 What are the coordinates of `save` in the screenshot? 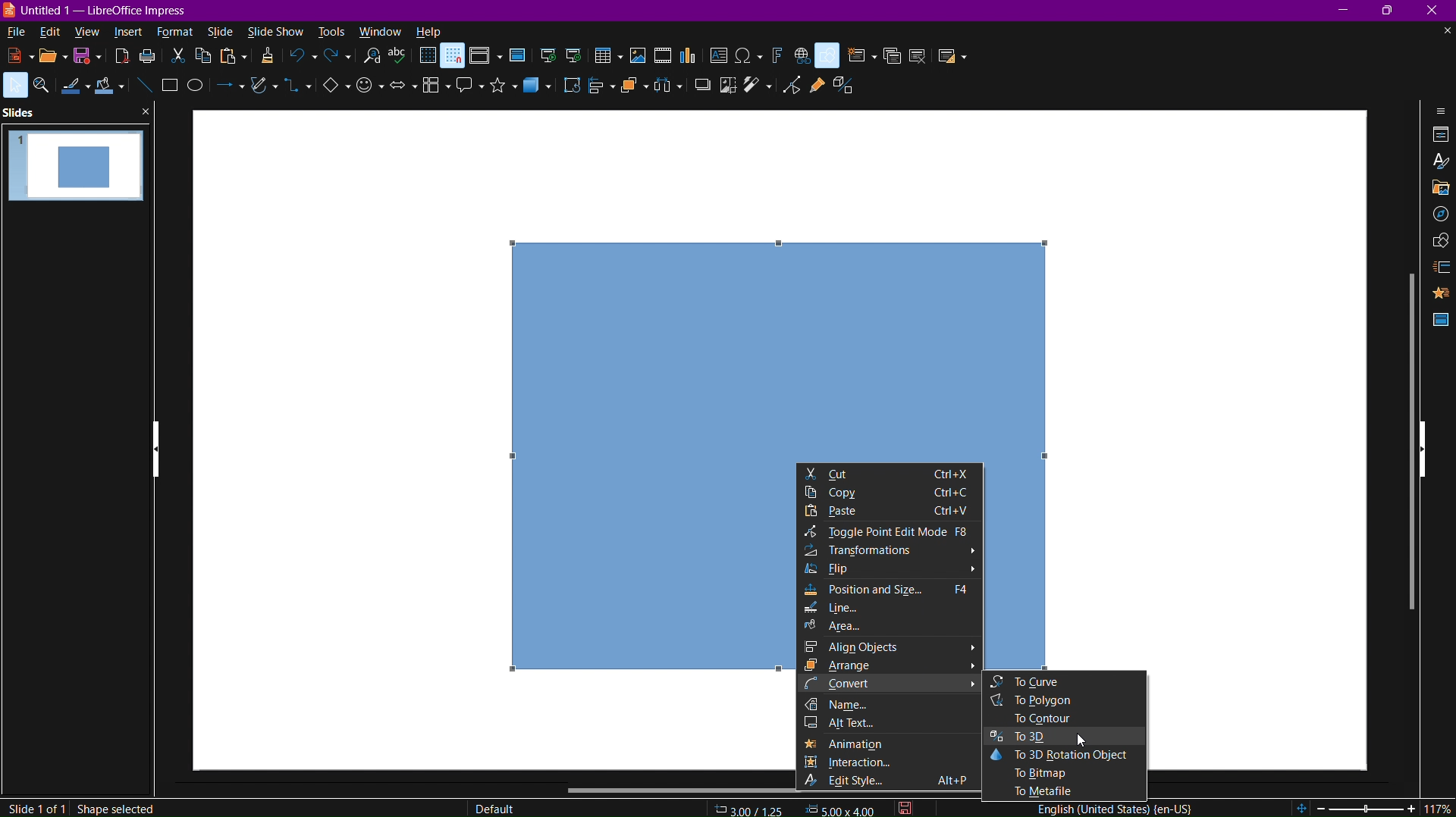 It's located at (89, 60).